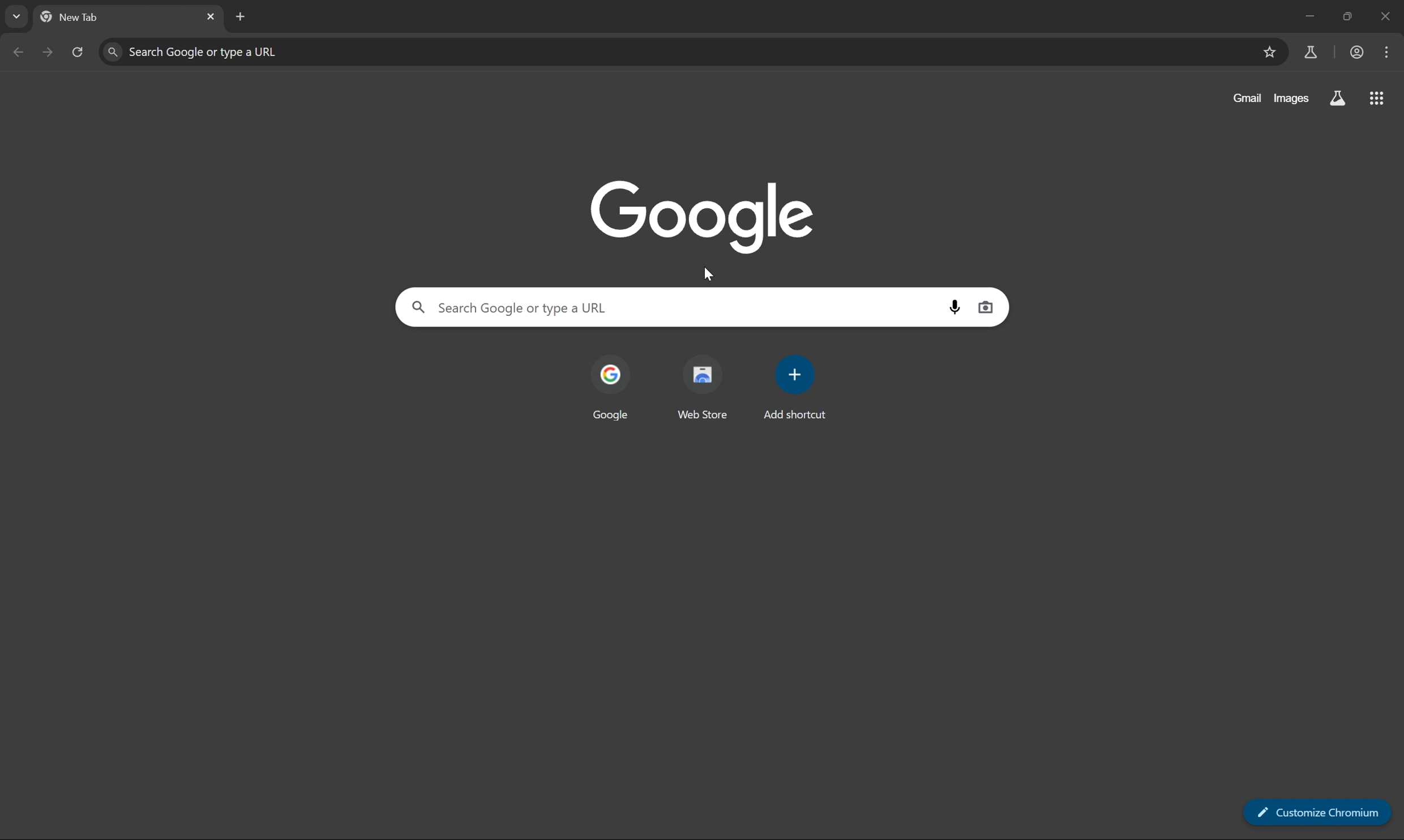 The height and width of the screenshot is (840, 1404). Describe the element at coordinates (702, 389) in the screenshot. I see `web store` at that location.